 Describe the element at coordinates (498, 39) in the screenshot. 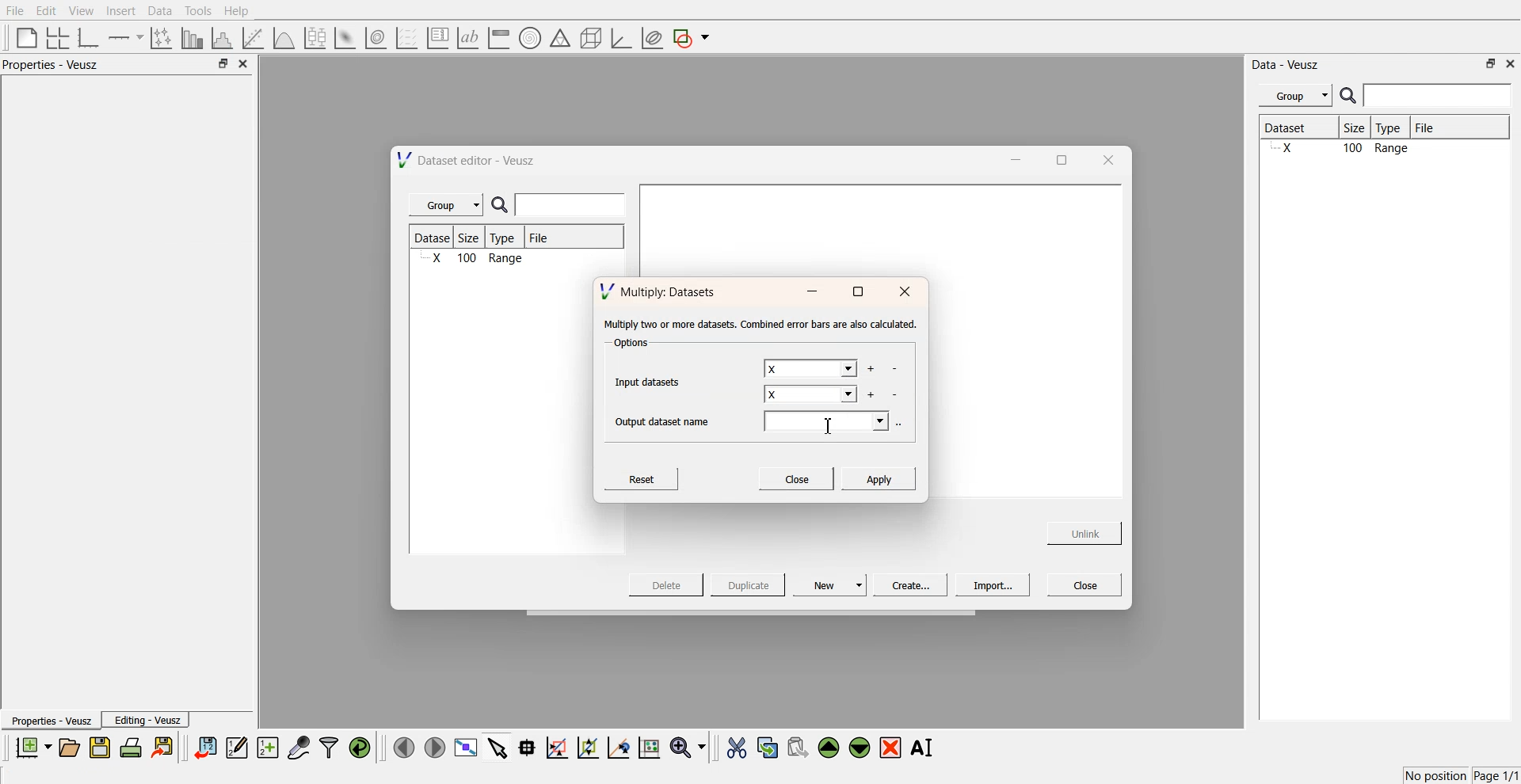

I see `image color bar` at that location.